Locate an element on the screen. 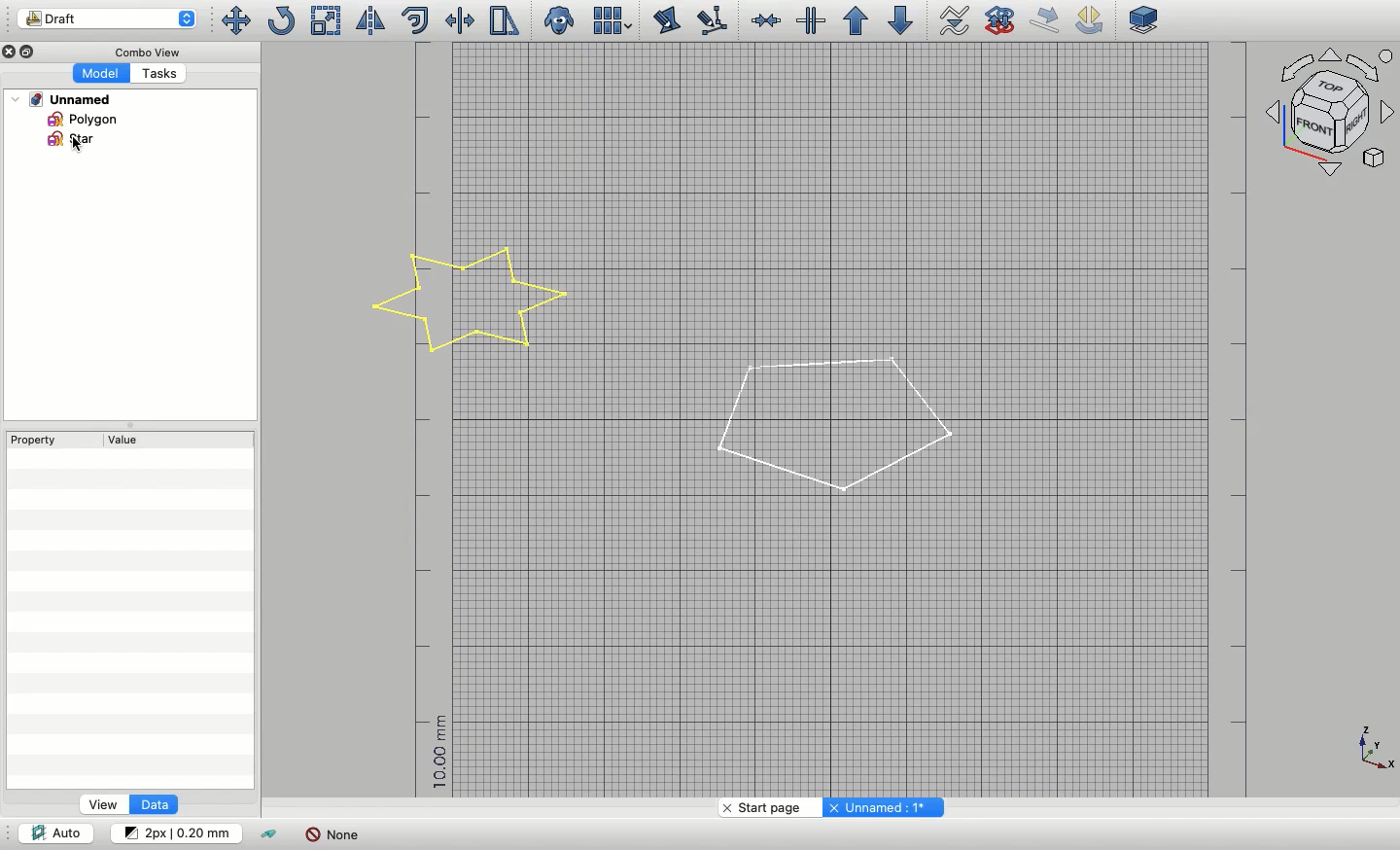 The height and width of the screenshot is (850, 1400). Clone is located at coordinates (559, 21).